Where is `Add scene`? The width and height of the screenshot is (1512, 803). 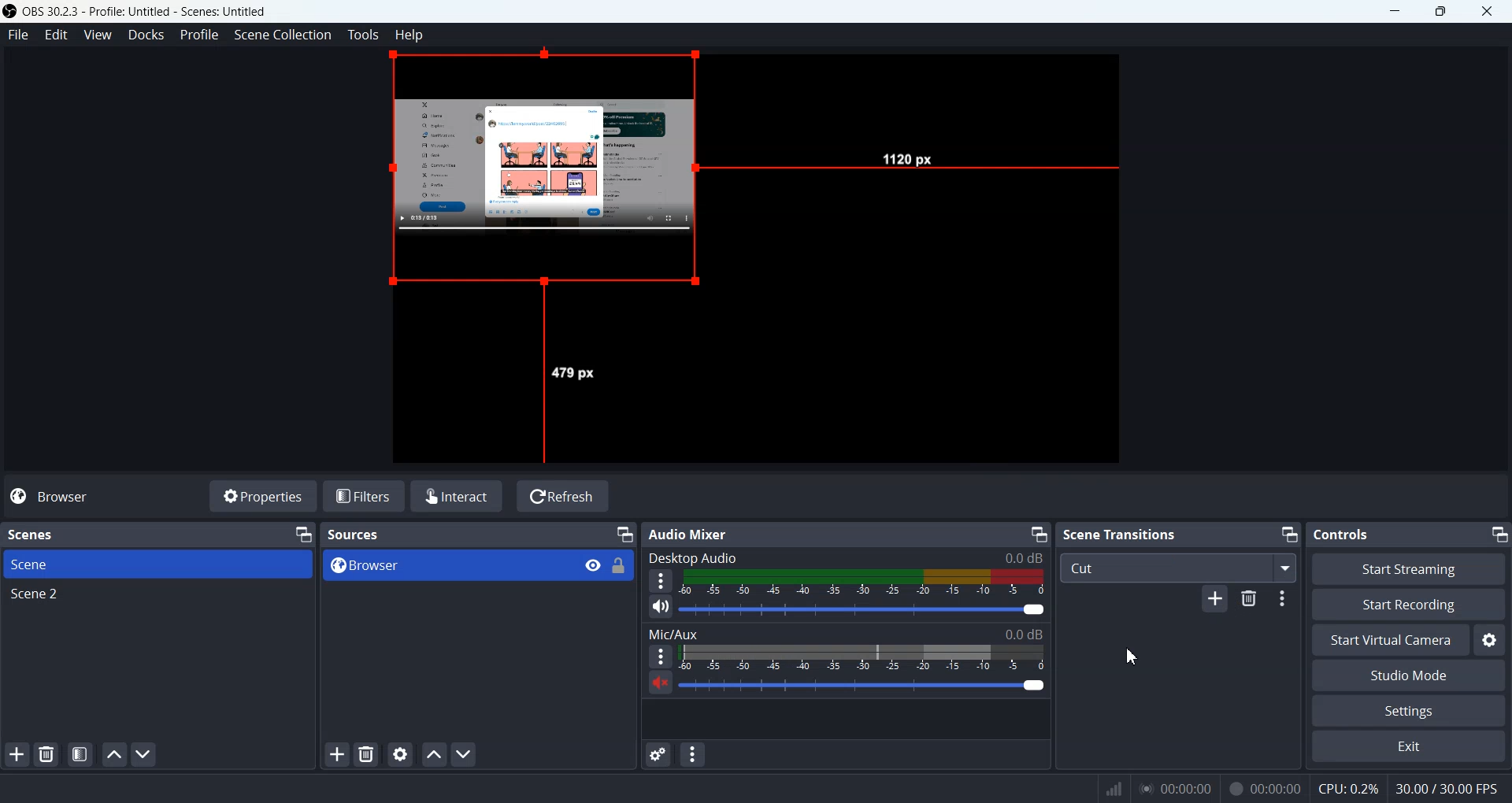
Add scene is located at coordinates (17, 754).